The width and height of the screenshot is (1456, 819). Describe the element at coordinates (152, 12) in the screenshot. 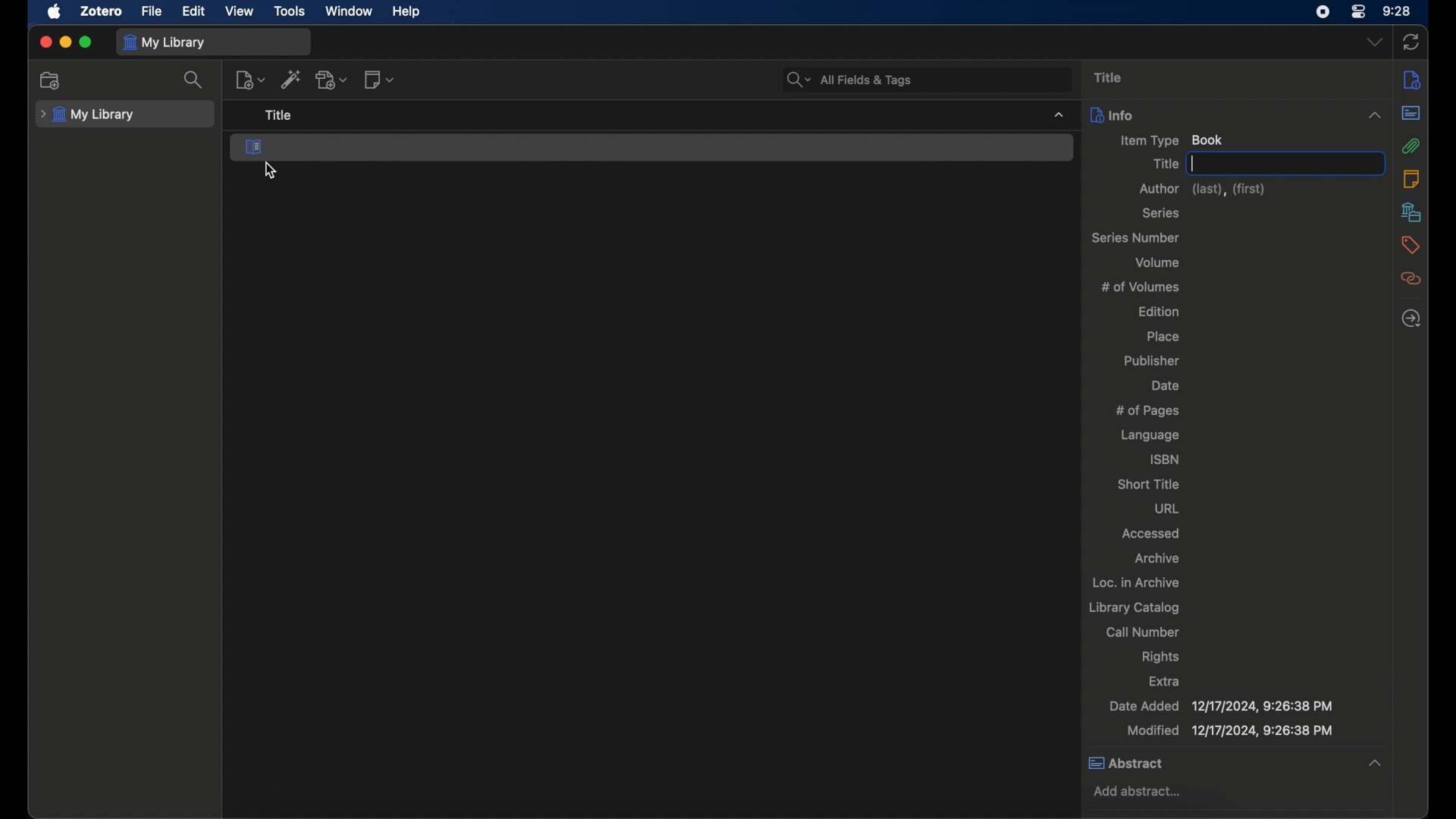

I see `file` at that location.